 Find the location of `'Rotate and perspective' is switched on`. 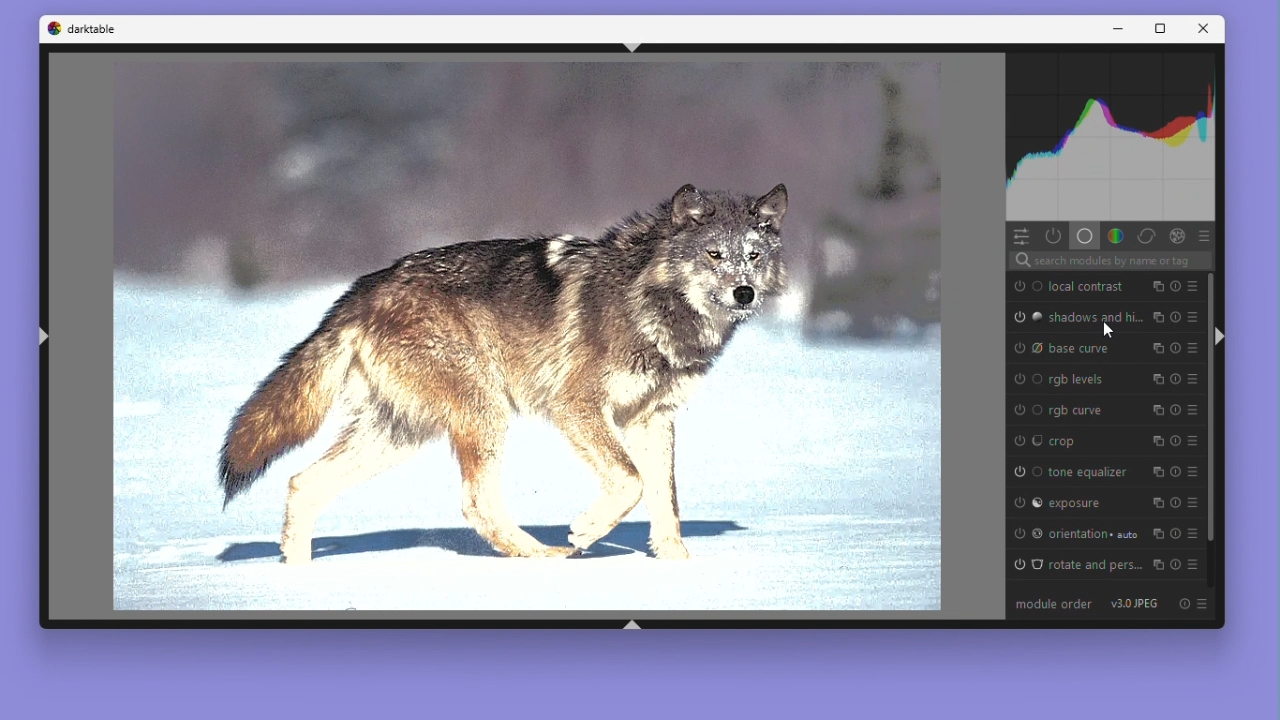

'Rotate and perspective' is switched on is located at coordinates (1025, 562).